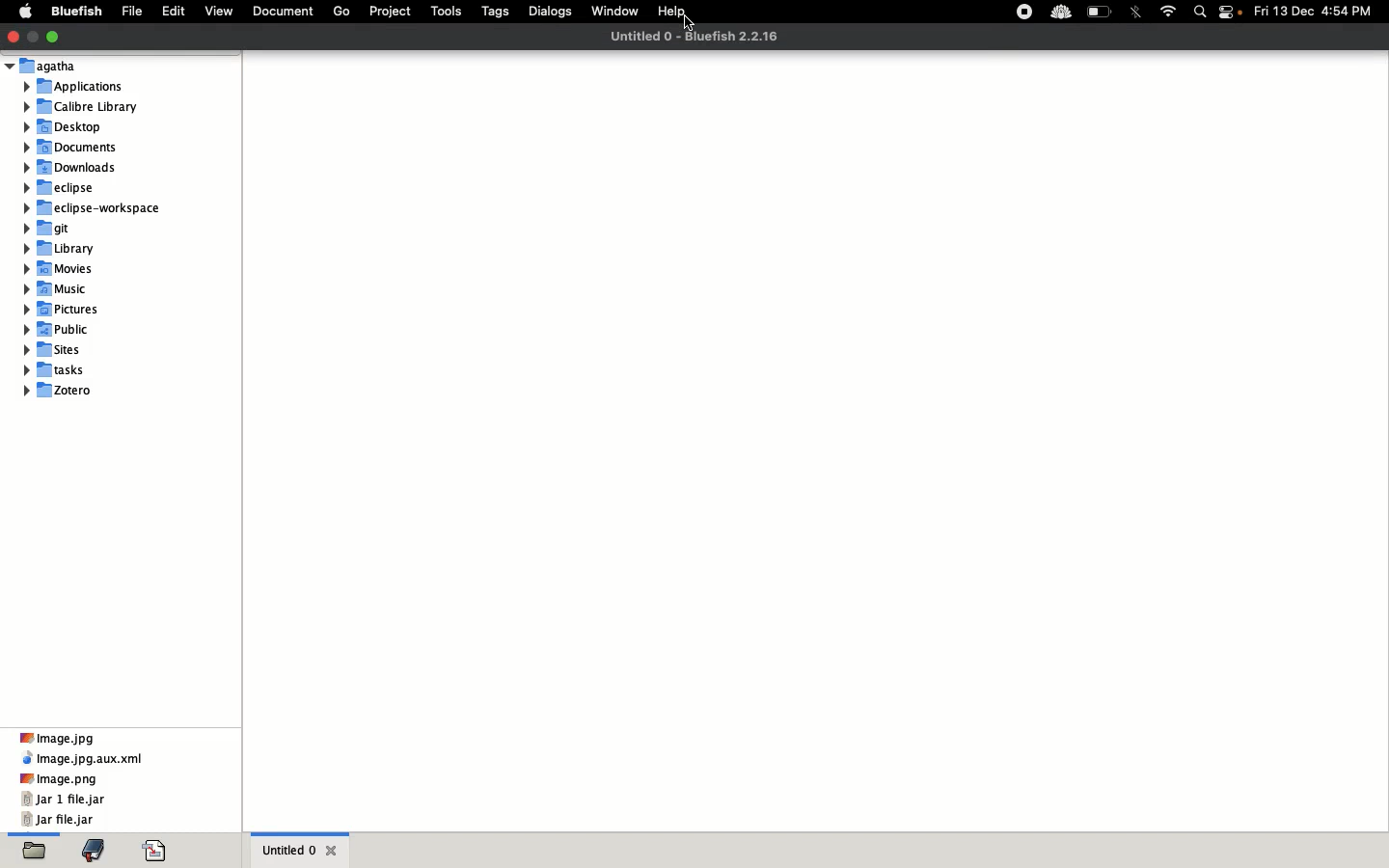 The height and width of the screenshot is (868, 1389). Describe the element at coordinates (1060, 12) in the screenshot. I see `Extension` at that location.